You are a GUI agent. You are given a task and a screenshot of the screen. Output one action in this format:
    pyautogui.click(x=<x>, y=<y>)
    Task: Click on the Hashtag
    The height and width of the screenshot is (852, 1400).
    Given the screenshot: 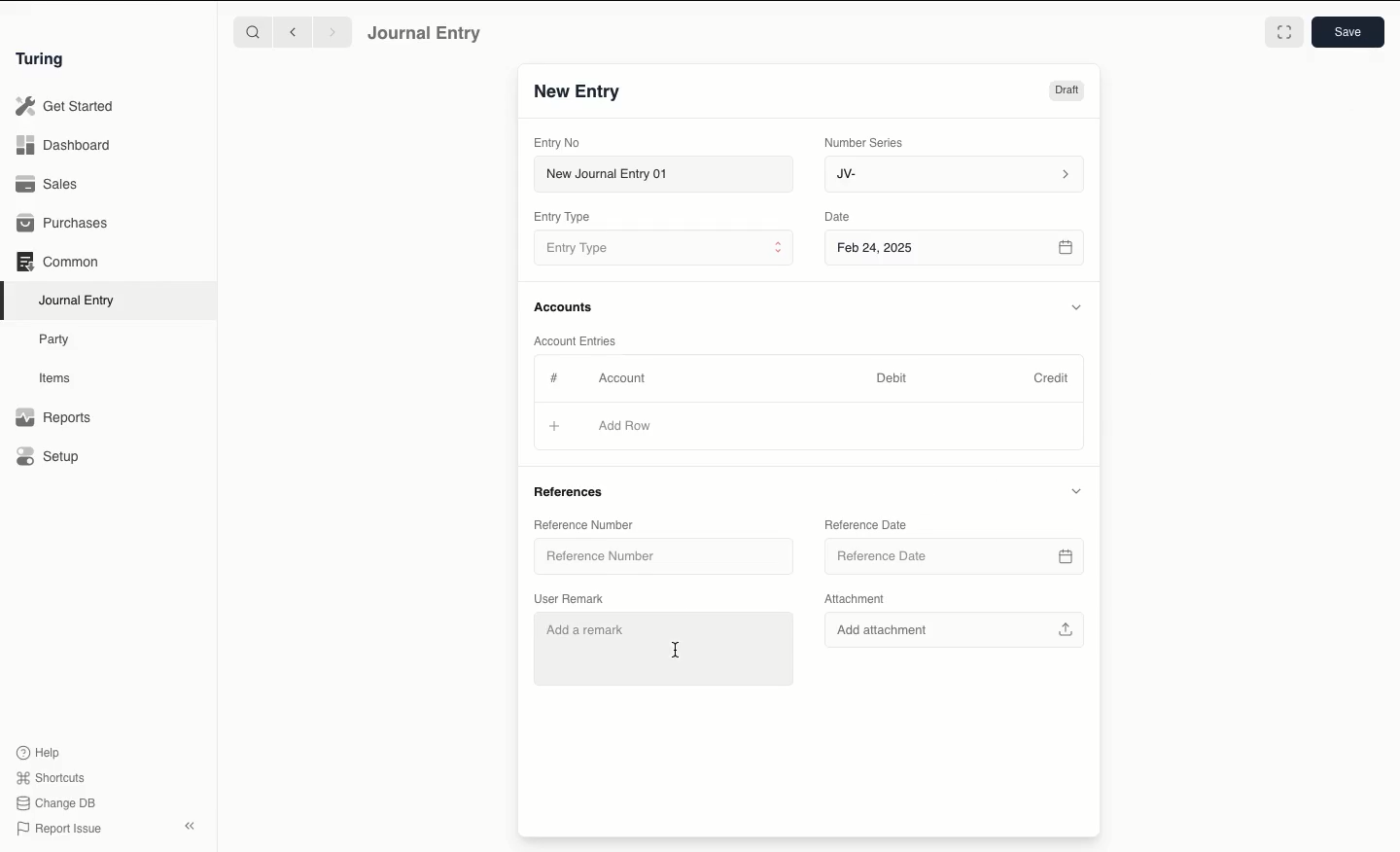 What is the action you would take?
    pyautogui.click(x=556, y=377)
    